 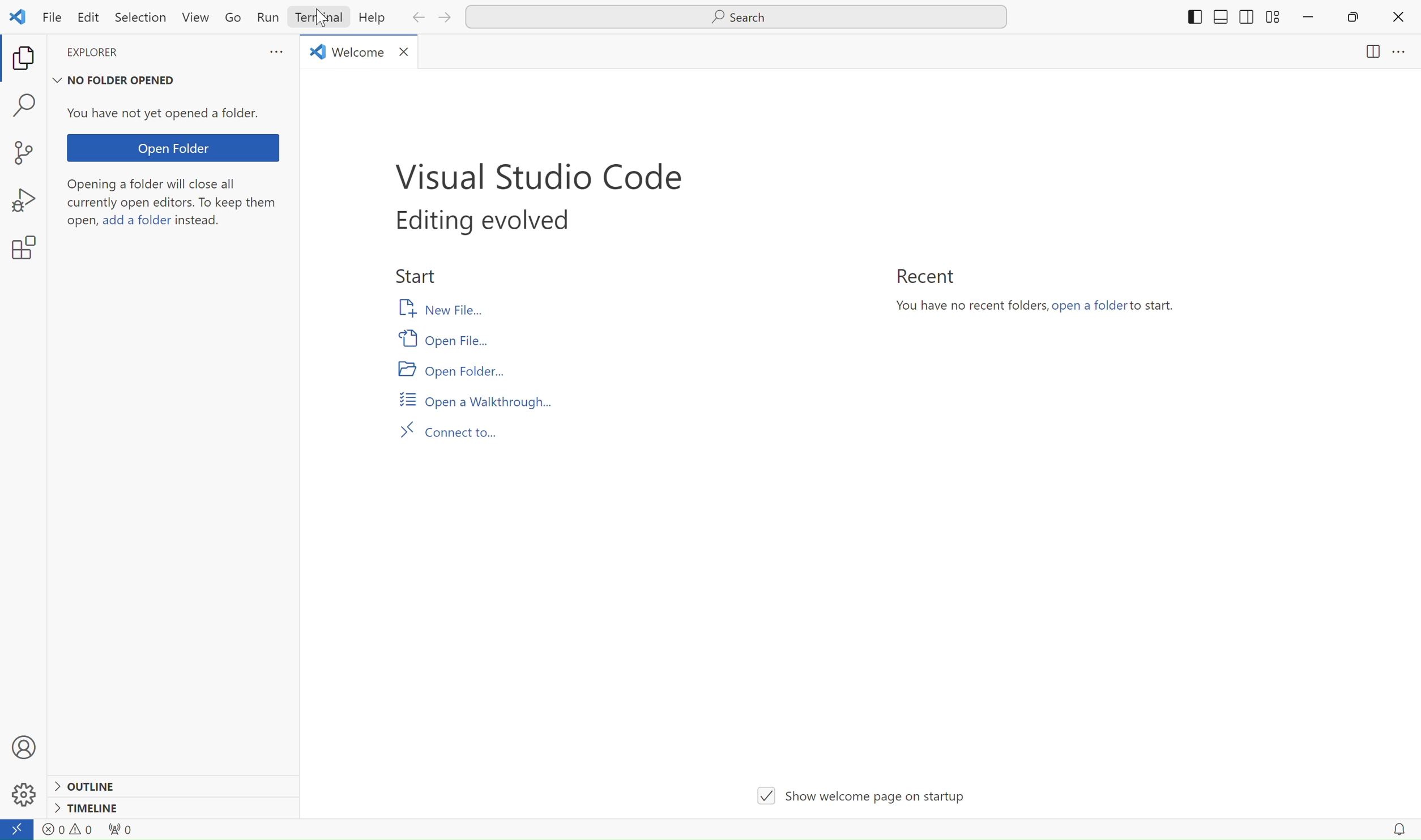 I want to click on next, so click(x=443, y=17).